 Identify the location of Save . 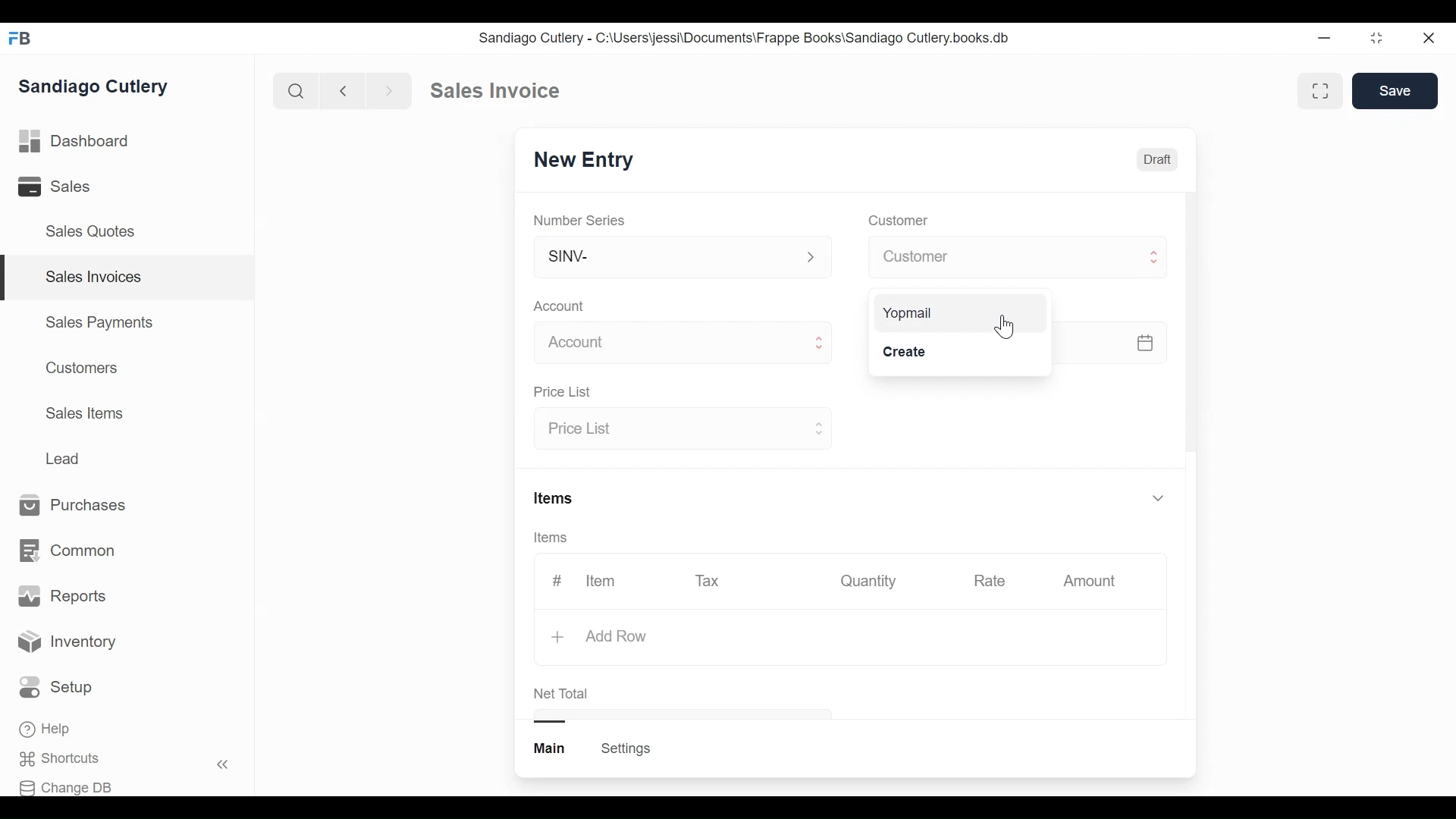
(1395, 91).